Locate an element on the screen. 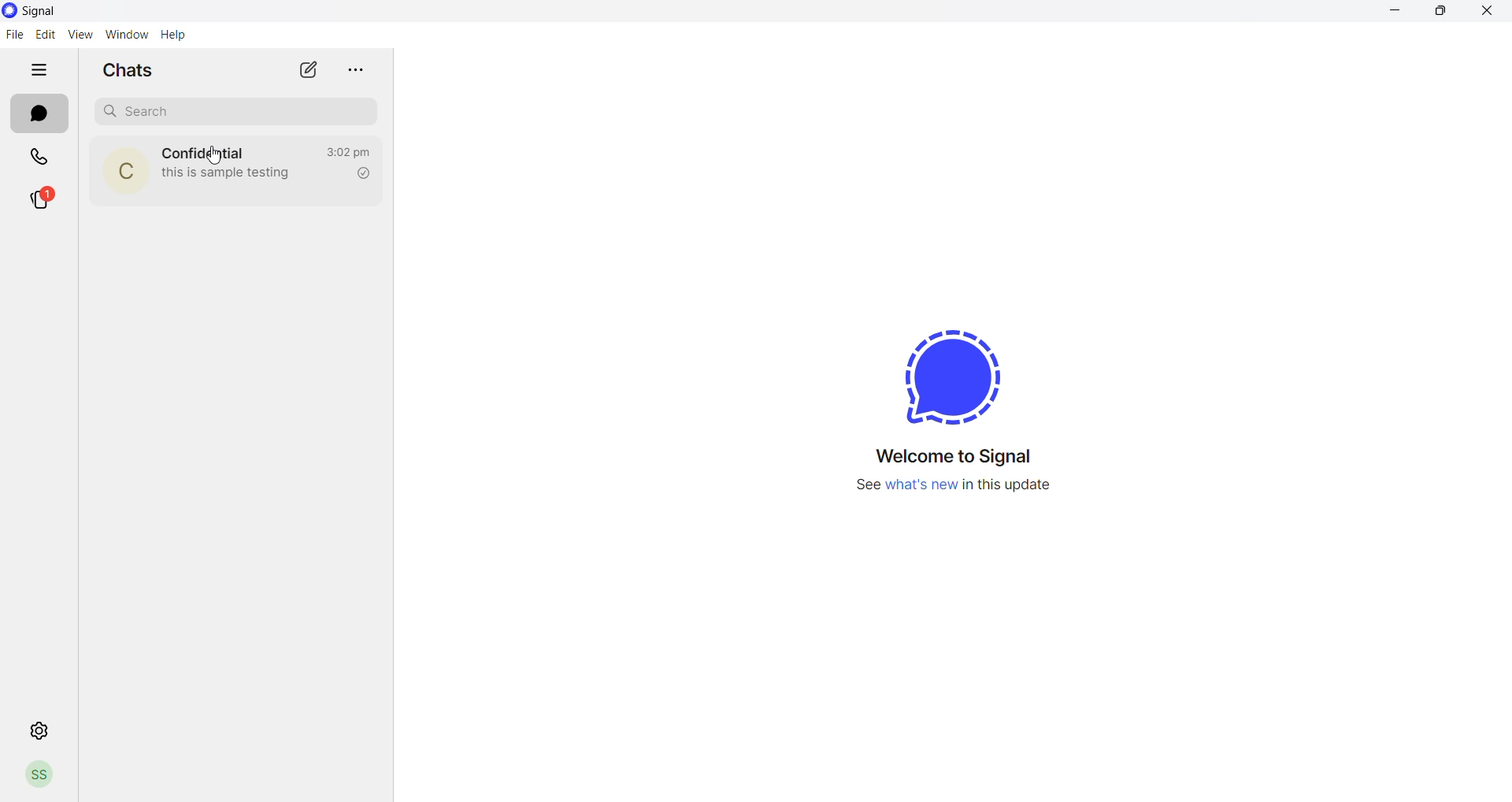  calls is located at coordinates (37, 158).